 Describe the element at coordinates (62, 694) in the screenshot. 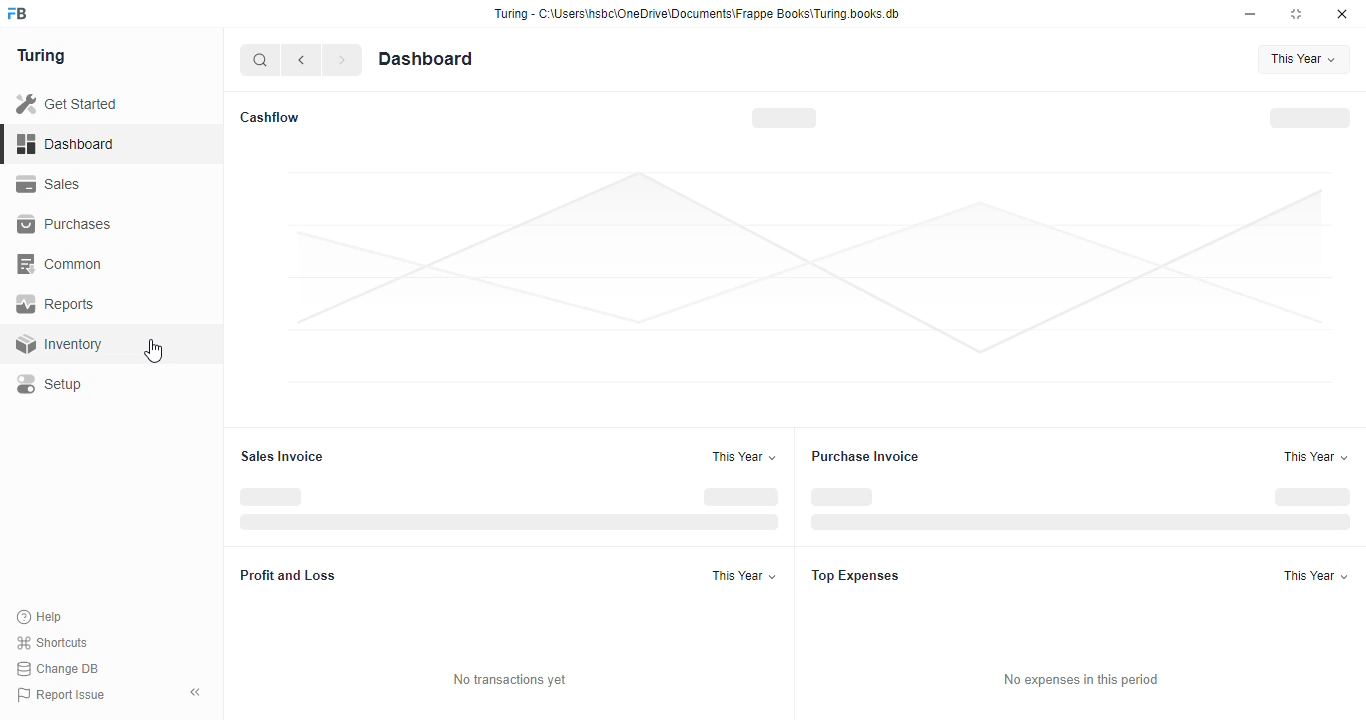

I see `report issue` at that location.